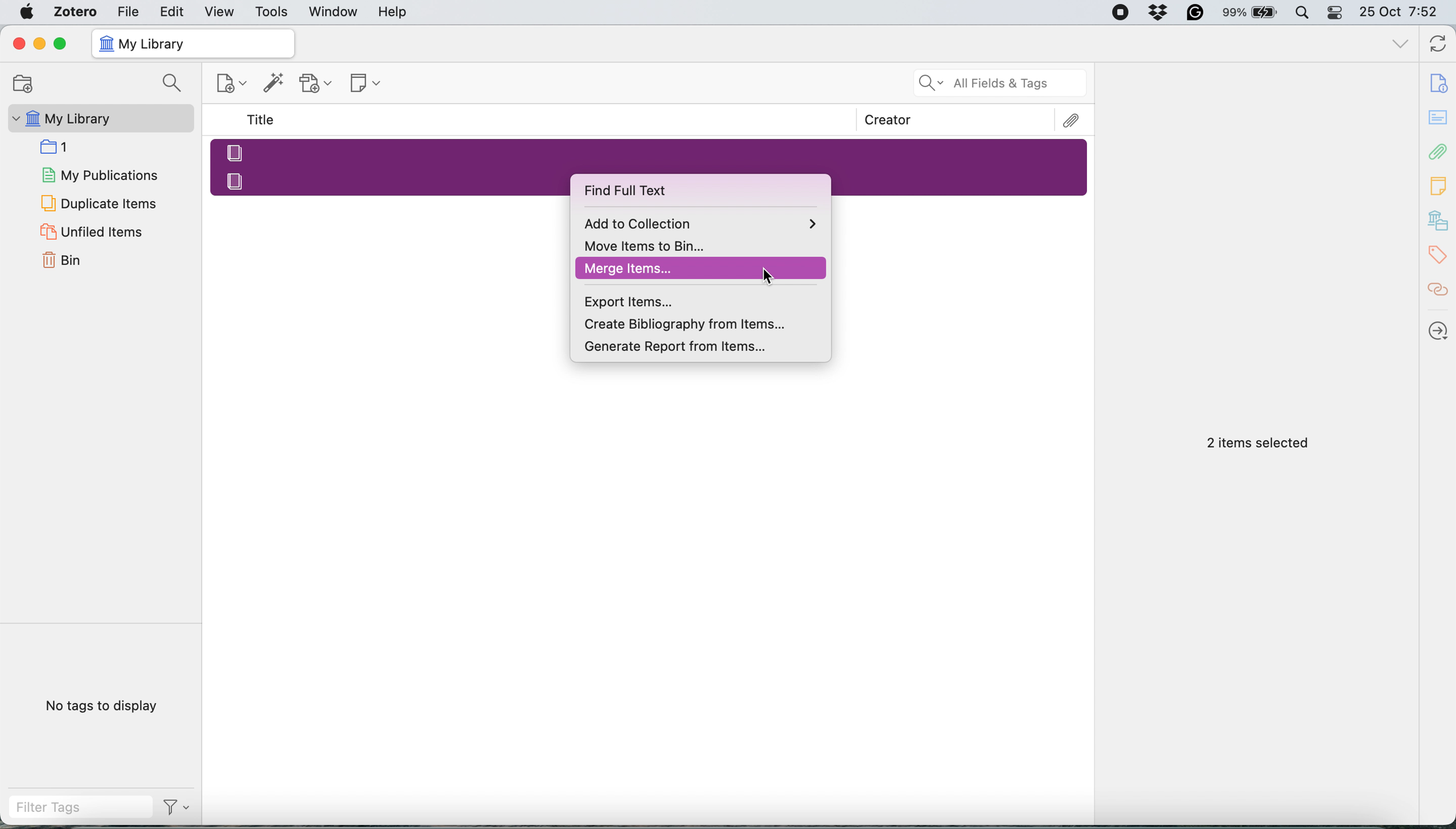 Image resolution: width=1456 pixels, height=829 pixels. Describe the element at coordinates (392, 11) in the screenshot. I see `Help` at that location.